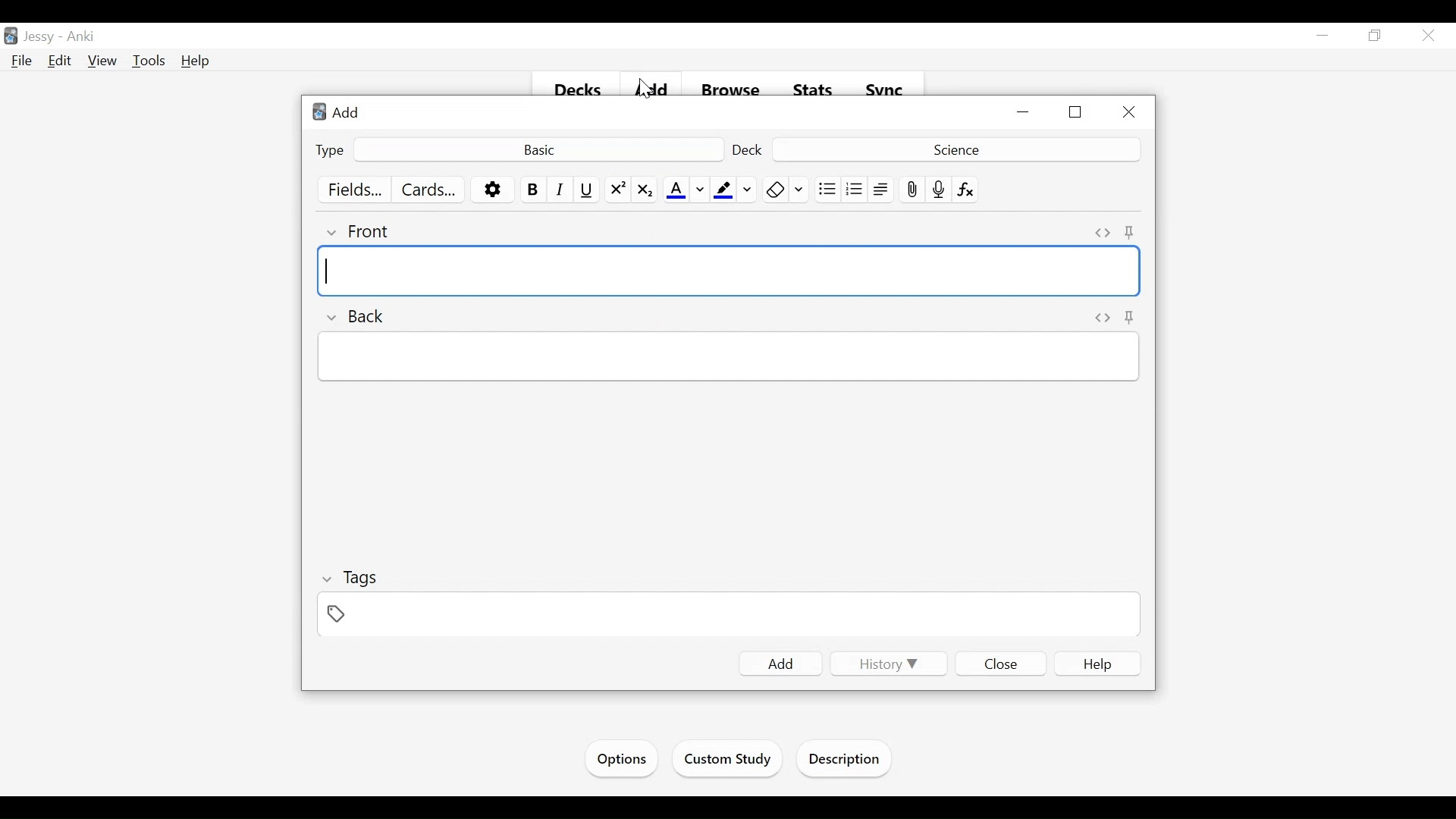 The image size is (1456, 819). I want to click on Close, so click(1426, 37).